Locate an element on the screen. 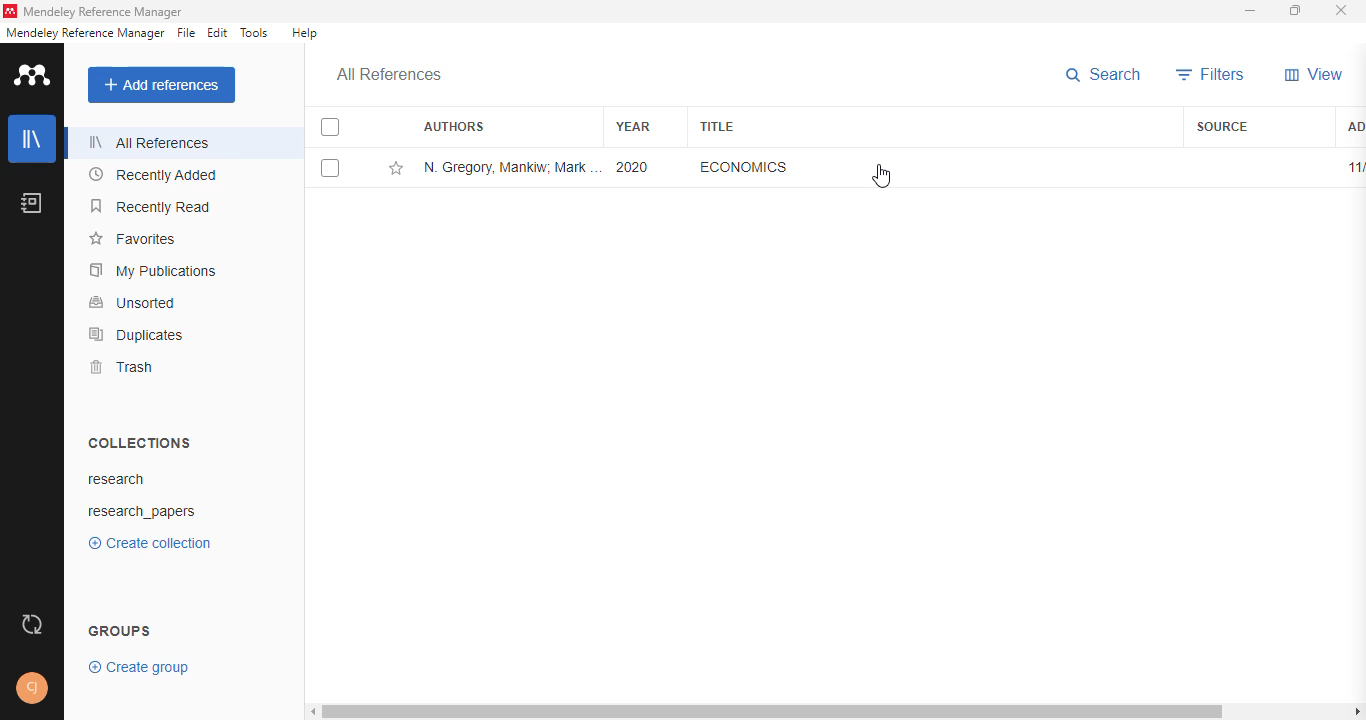 Image resolution: width=1366 pixels, height=720 pixels. select is located at coordinates (330, 168).